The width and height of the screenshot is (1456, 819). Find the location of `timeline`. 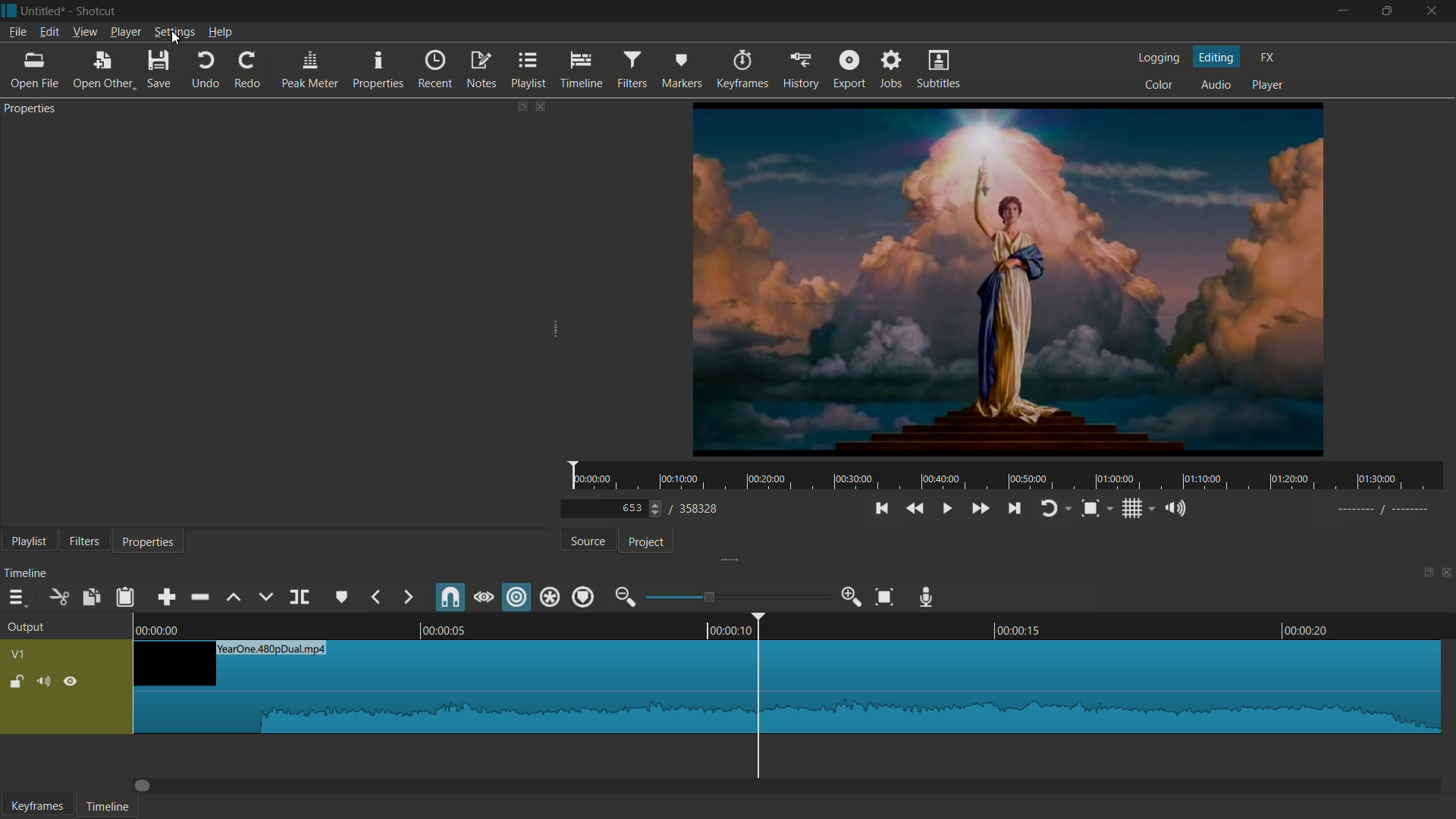

timeline is located at coordinates (582, 69).